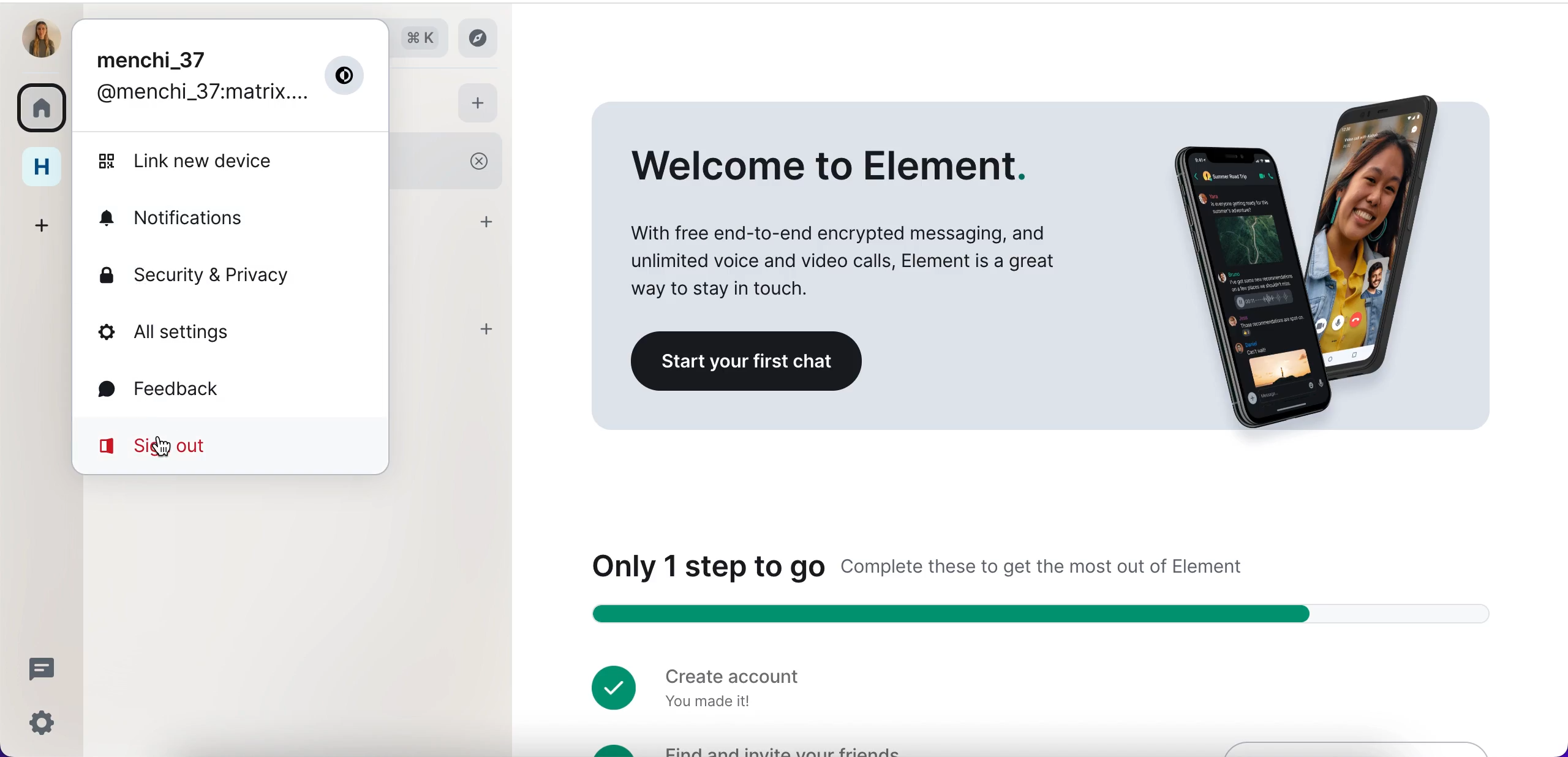 The width and height of the screenshot is (1568, 757). Describe the element at coordinates (203, 334) in the screenshot. I see `all settings` at that location.